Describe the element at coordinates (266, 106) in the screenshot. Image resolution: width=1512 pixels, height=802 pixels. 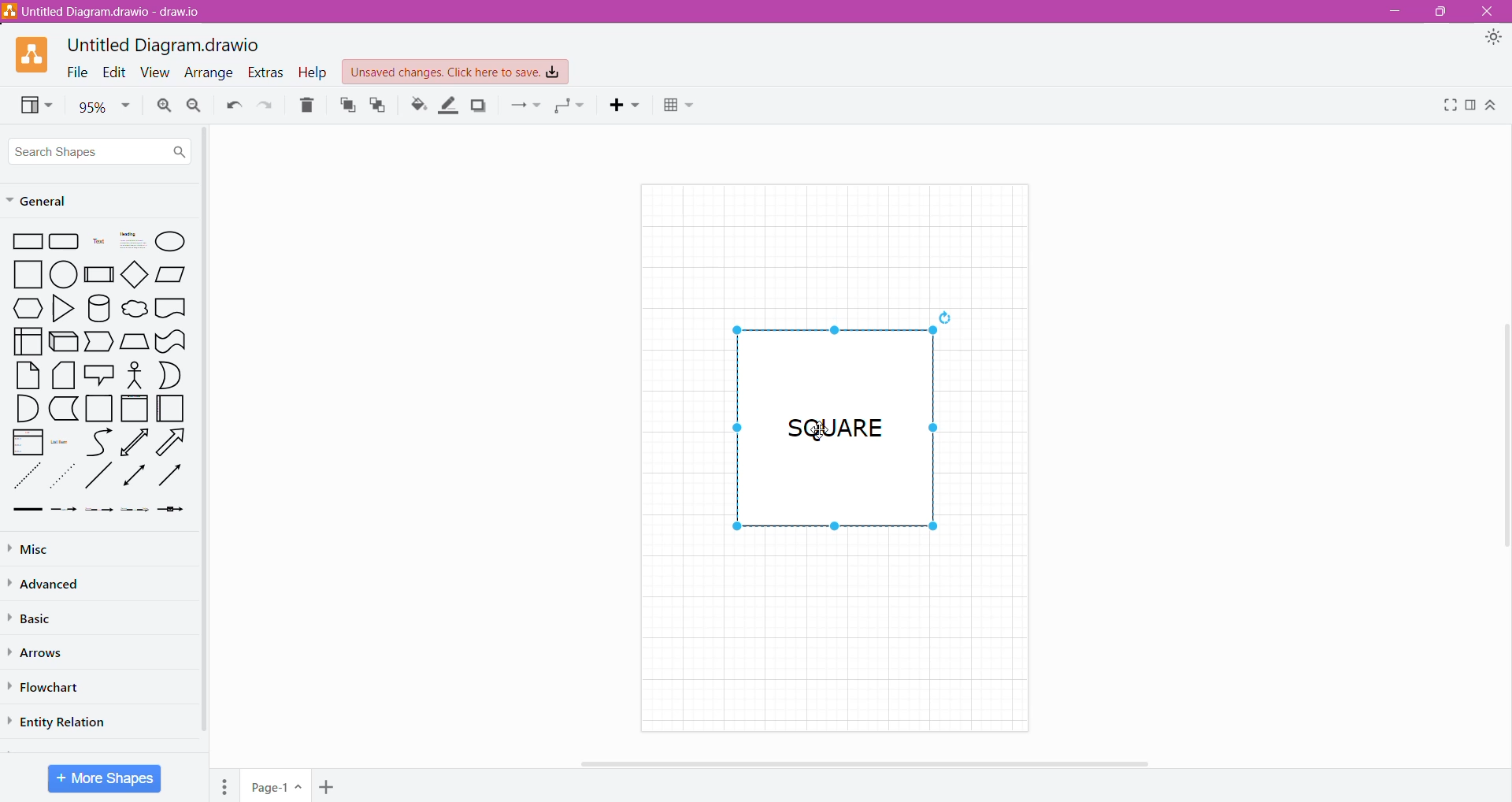
I see `Redo` at that location.